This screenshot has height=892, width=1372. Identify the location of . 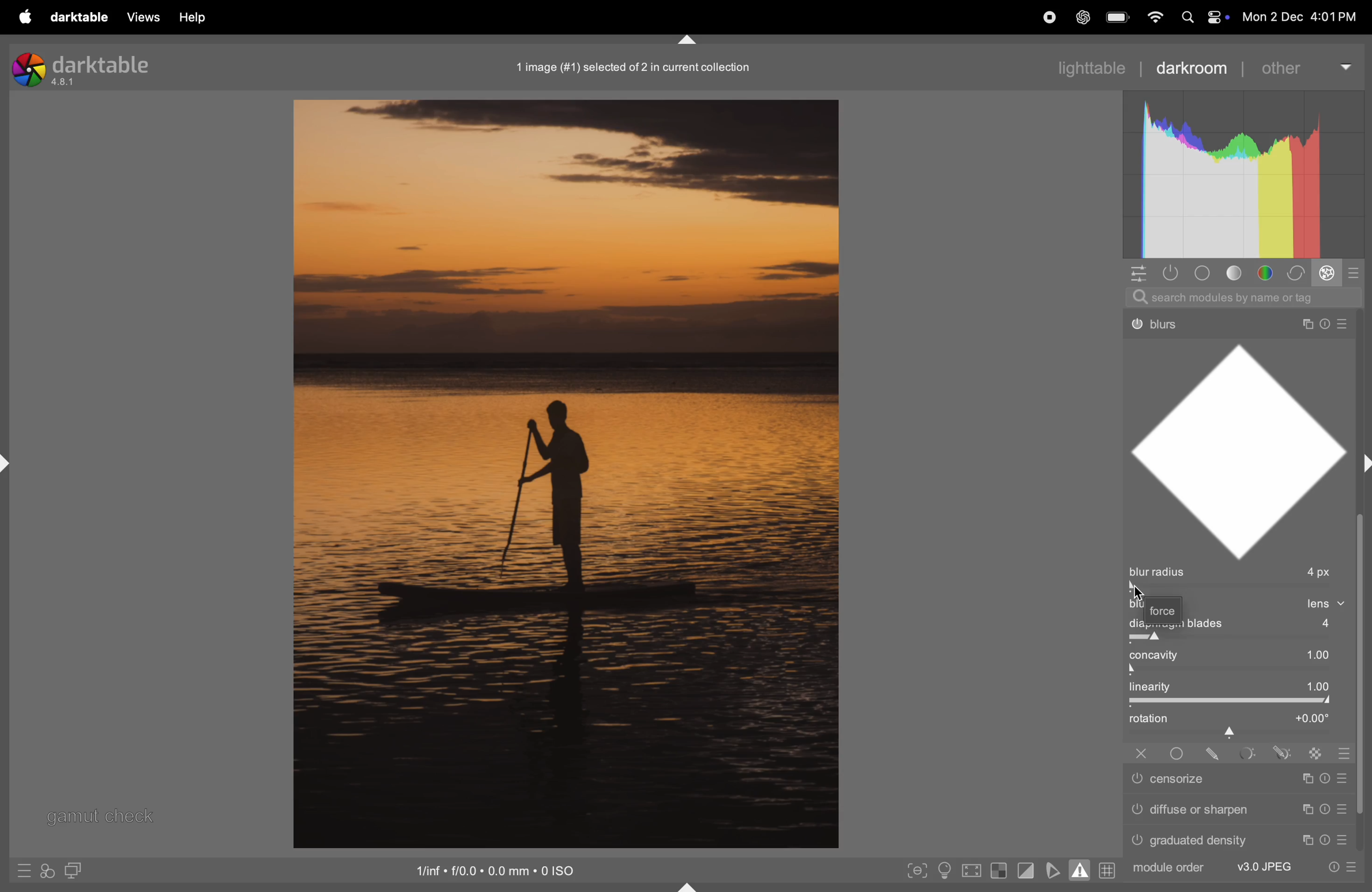
(1245, 868).